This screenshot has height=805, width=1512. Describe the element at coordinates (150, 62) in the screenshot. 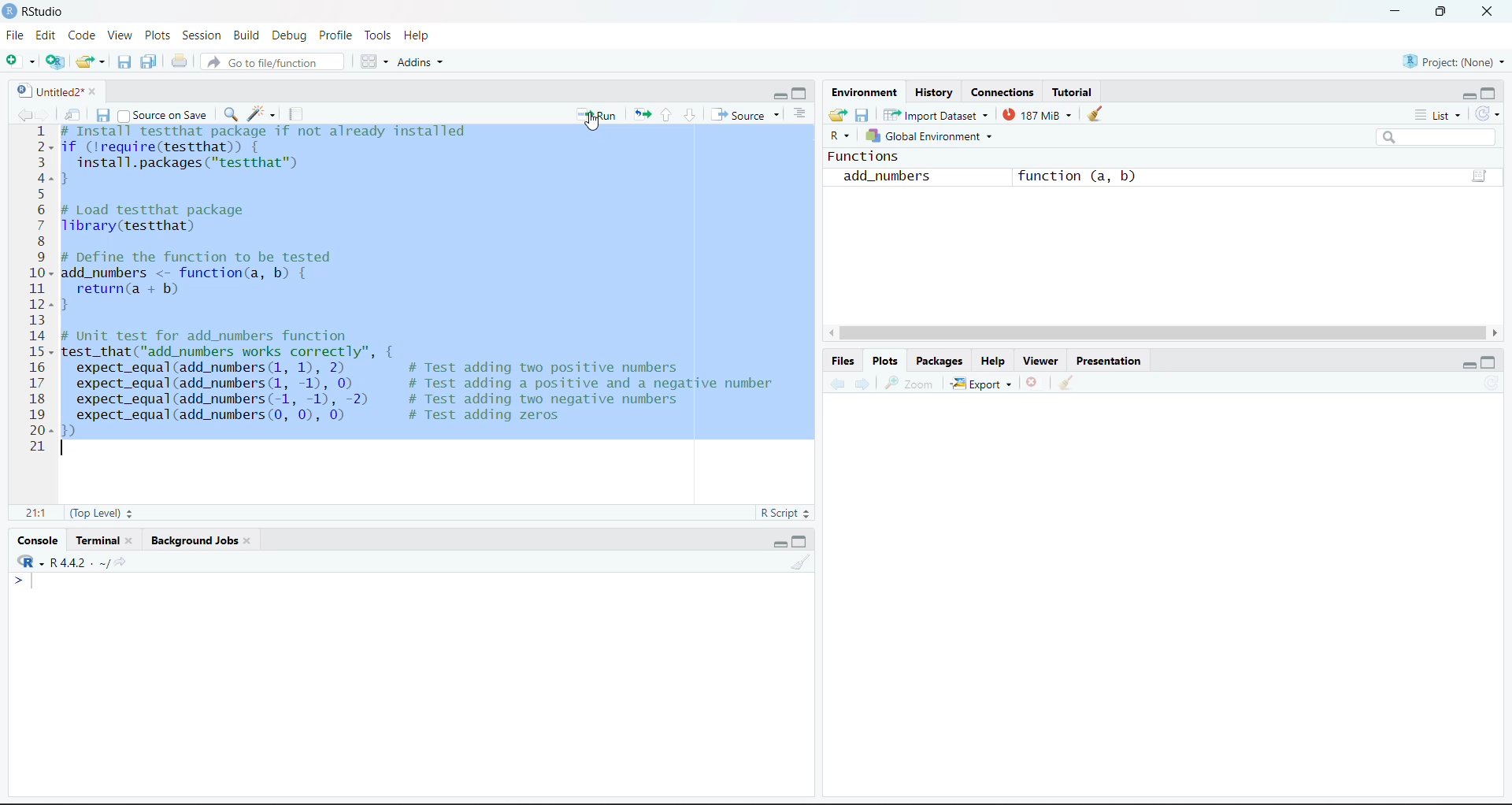

I see `save all open documents` at that location.